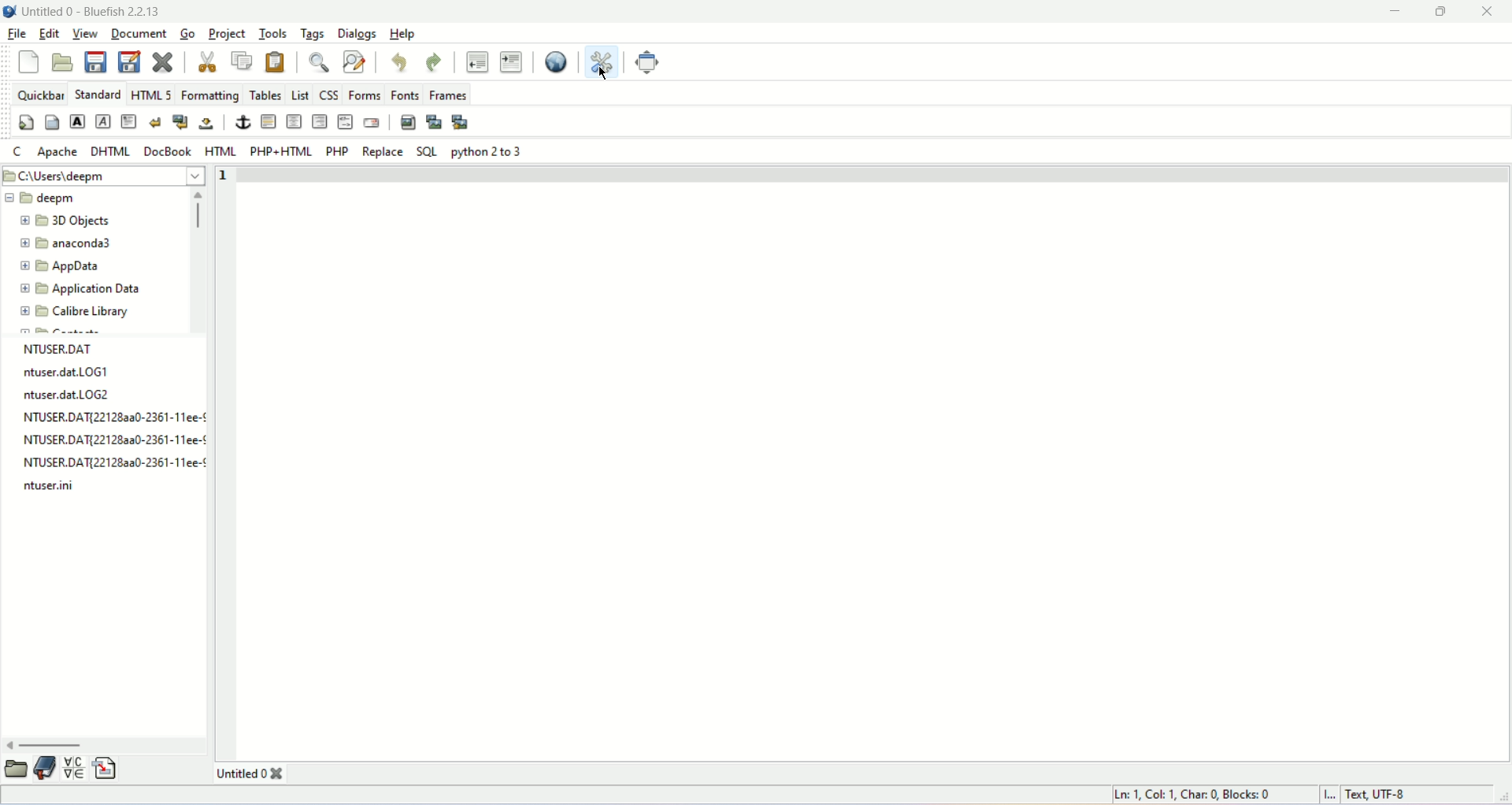 The width and height of the screenshot is (1512, 805). Describe the element at coordinates (1443, 12) in the screenshot. I see `maximize` at that location.